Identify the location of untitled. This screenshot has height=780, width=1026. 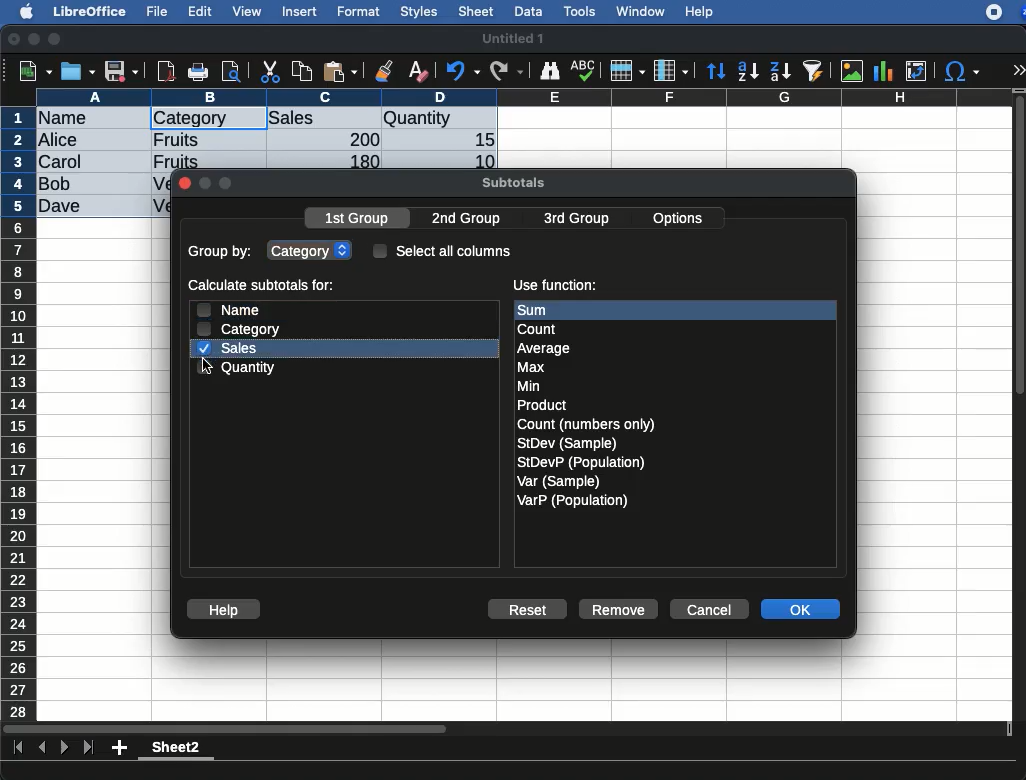
(512, 39).